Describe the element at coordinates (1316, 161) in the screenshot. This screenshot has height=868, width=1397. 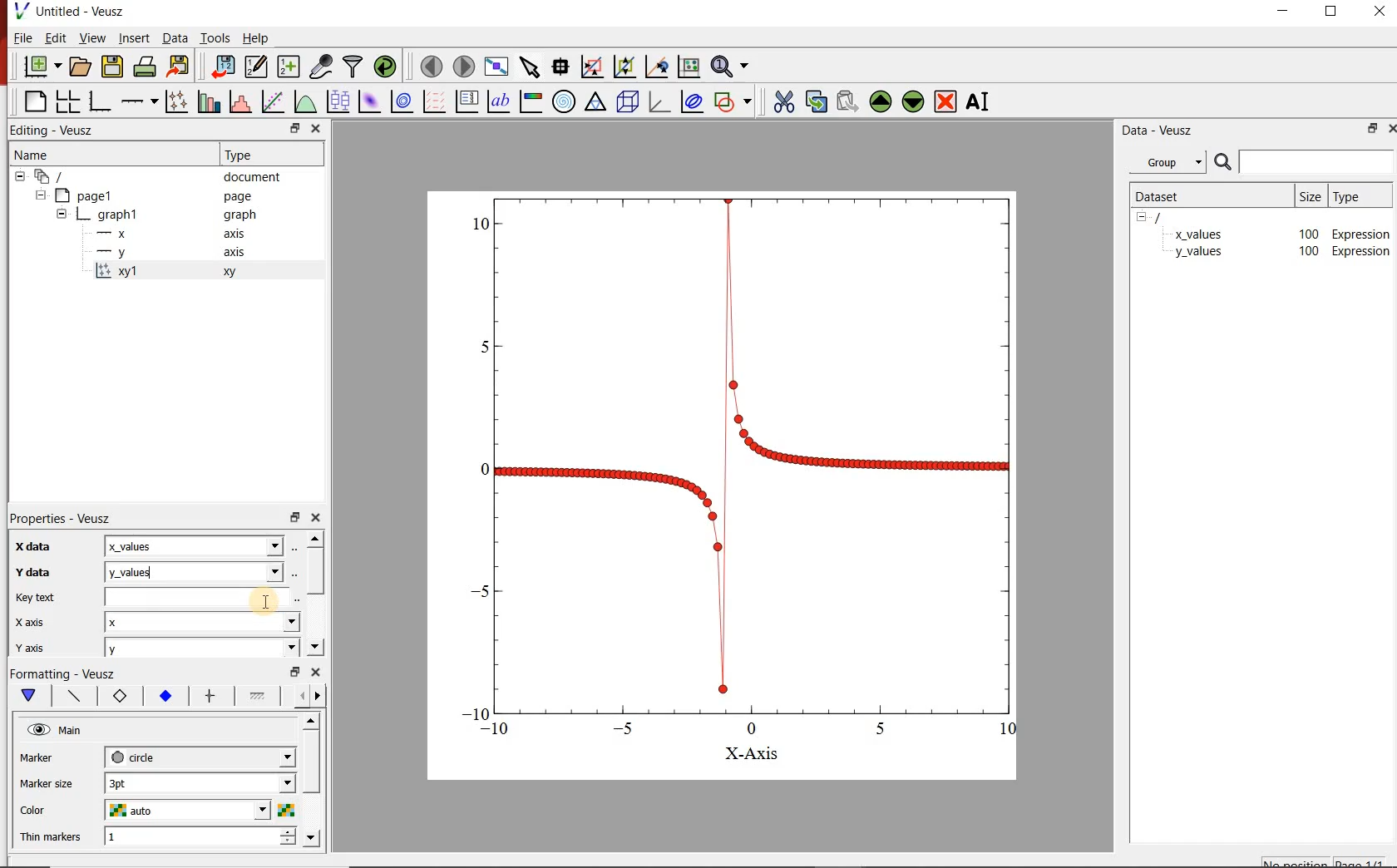
I see `input search` at that location.